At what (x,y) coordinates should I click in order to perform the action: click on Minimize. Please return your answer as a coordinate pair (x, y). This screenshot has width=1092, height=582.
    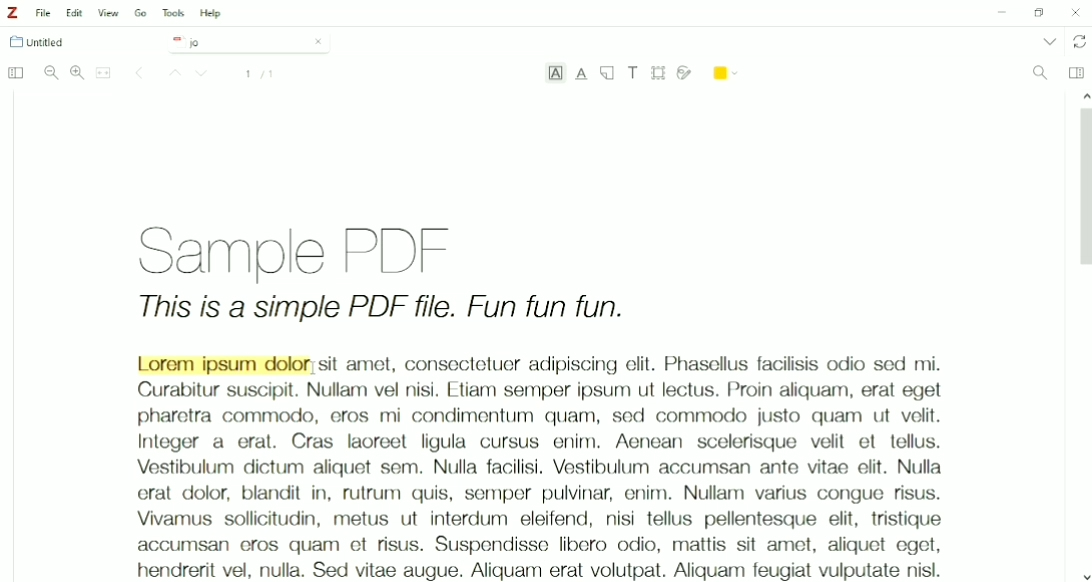
    Looking at the image, I should click on (999, 14).